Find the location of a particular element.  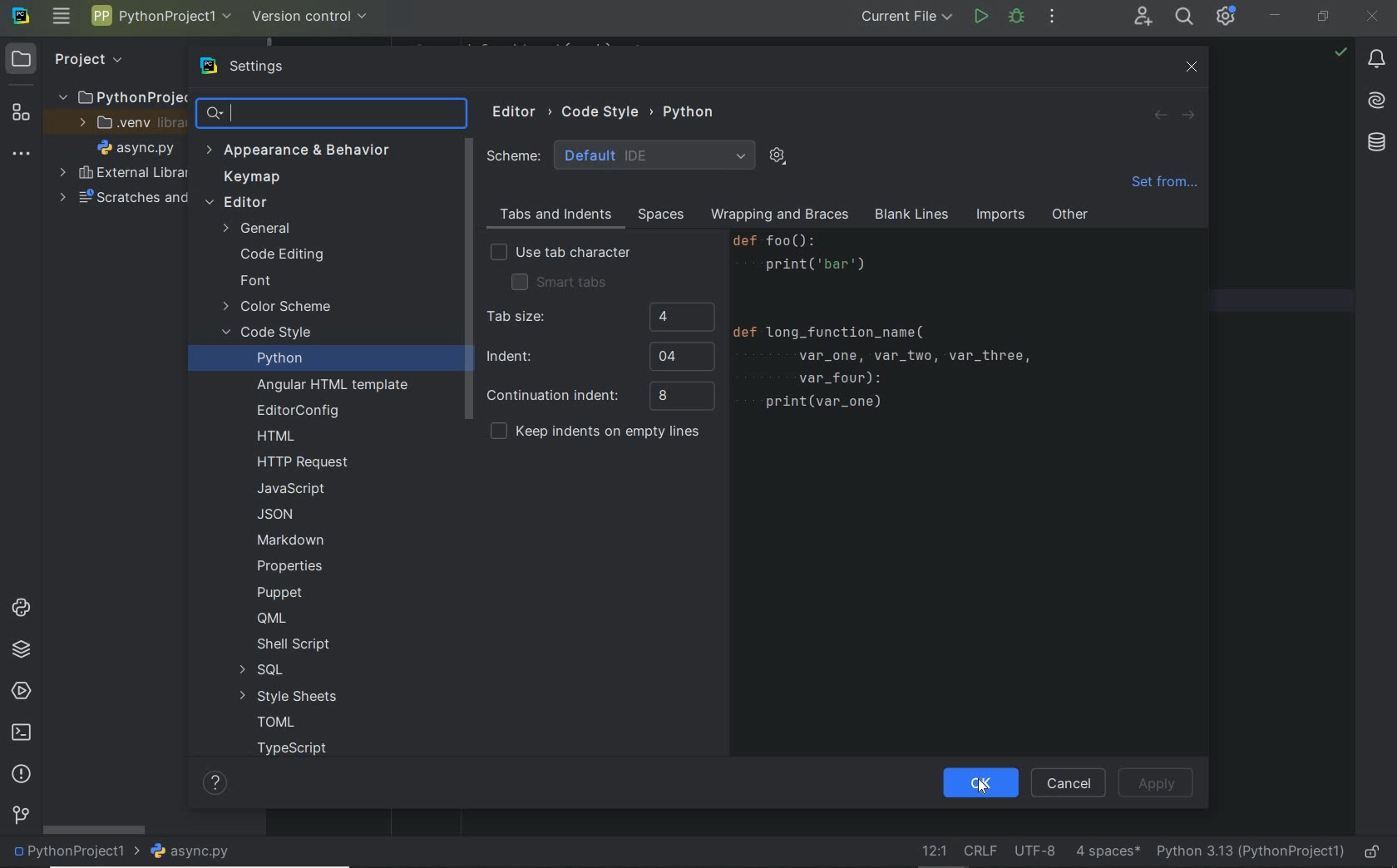

code editing is located at coordinates (281, 256).